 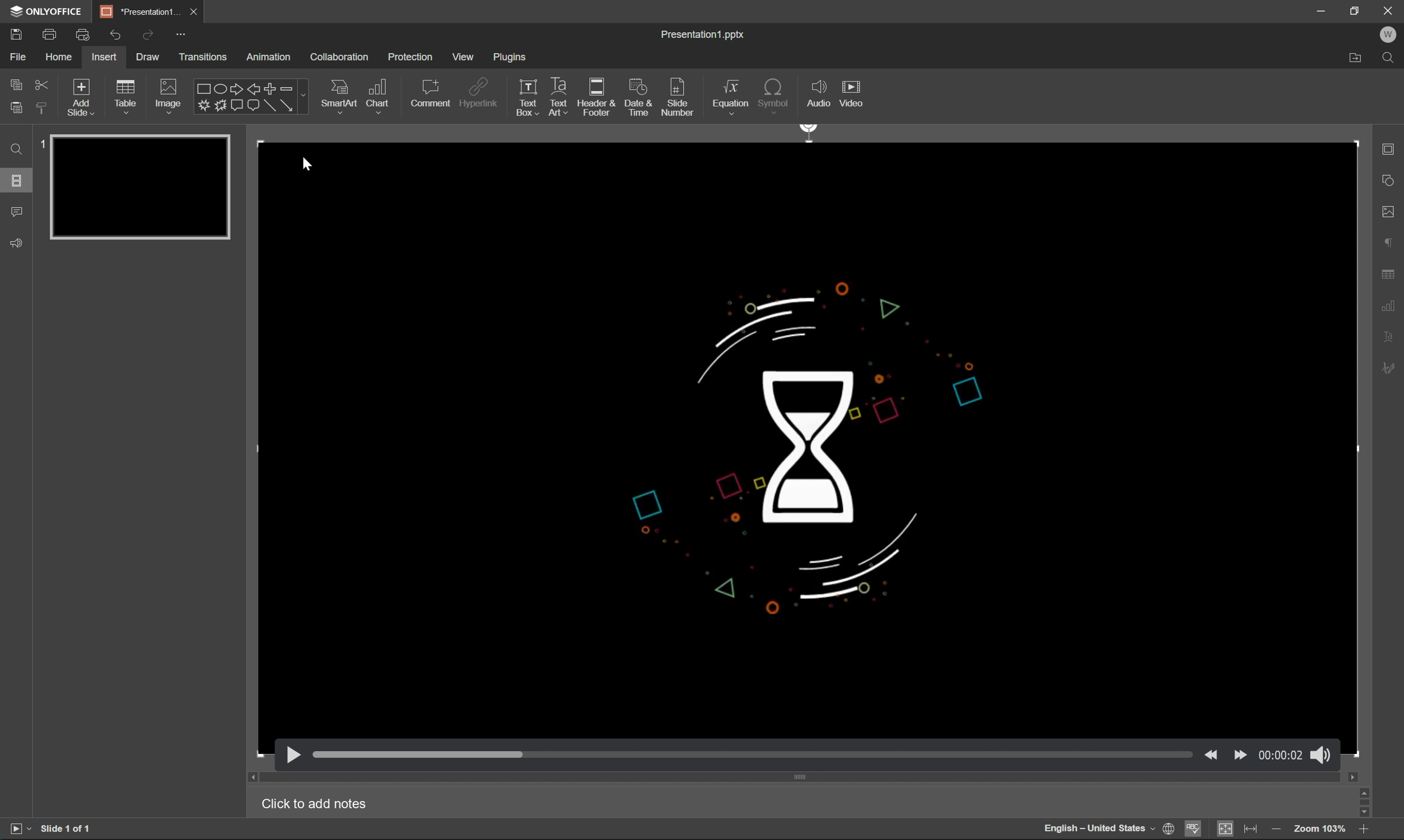 What do you see at coordinates (142, 10) in the screenshot?
I see `*Percentage` at bounding box center [142, 10].